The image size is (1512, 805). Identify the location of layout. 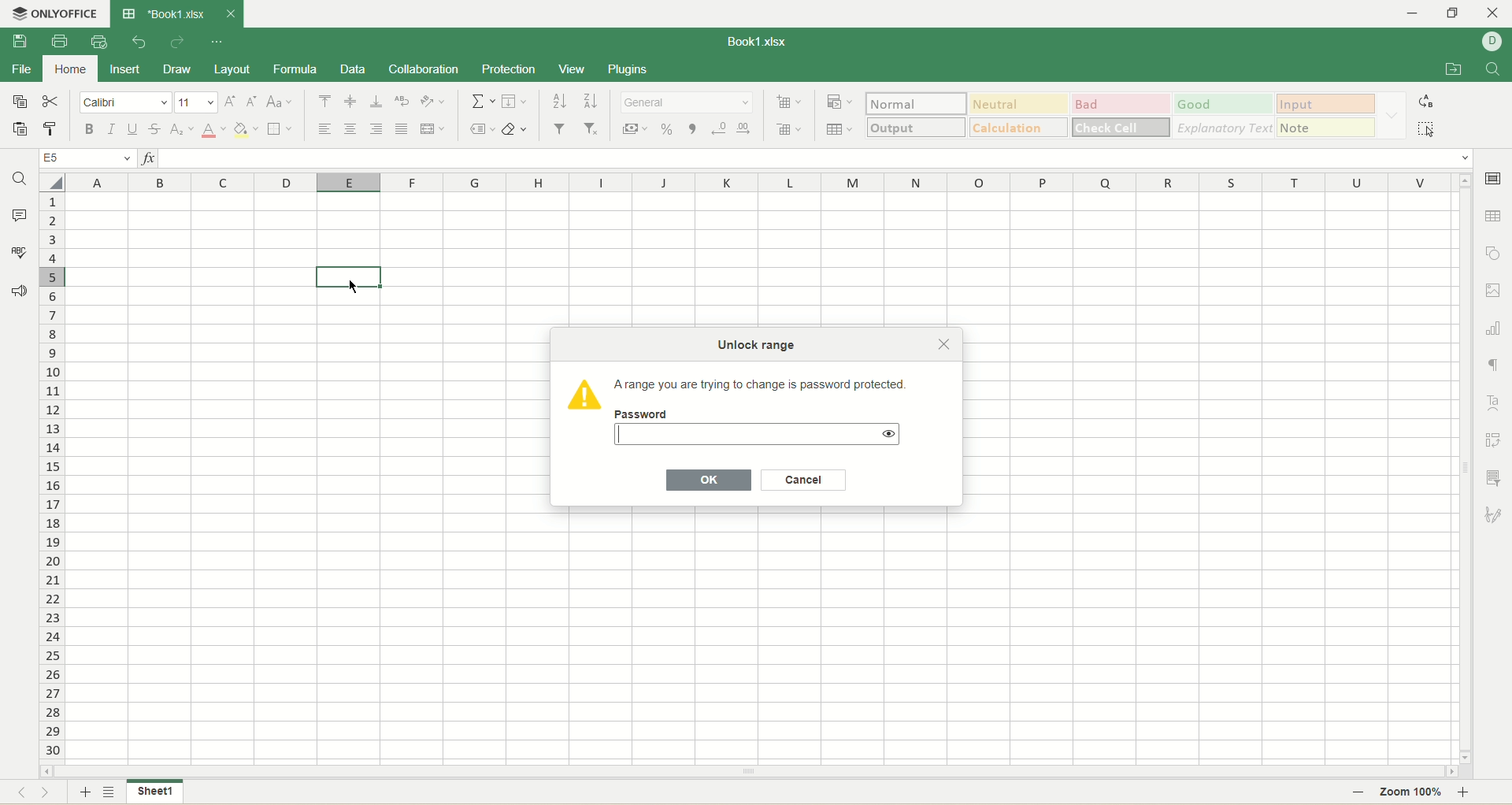
(233, 71).